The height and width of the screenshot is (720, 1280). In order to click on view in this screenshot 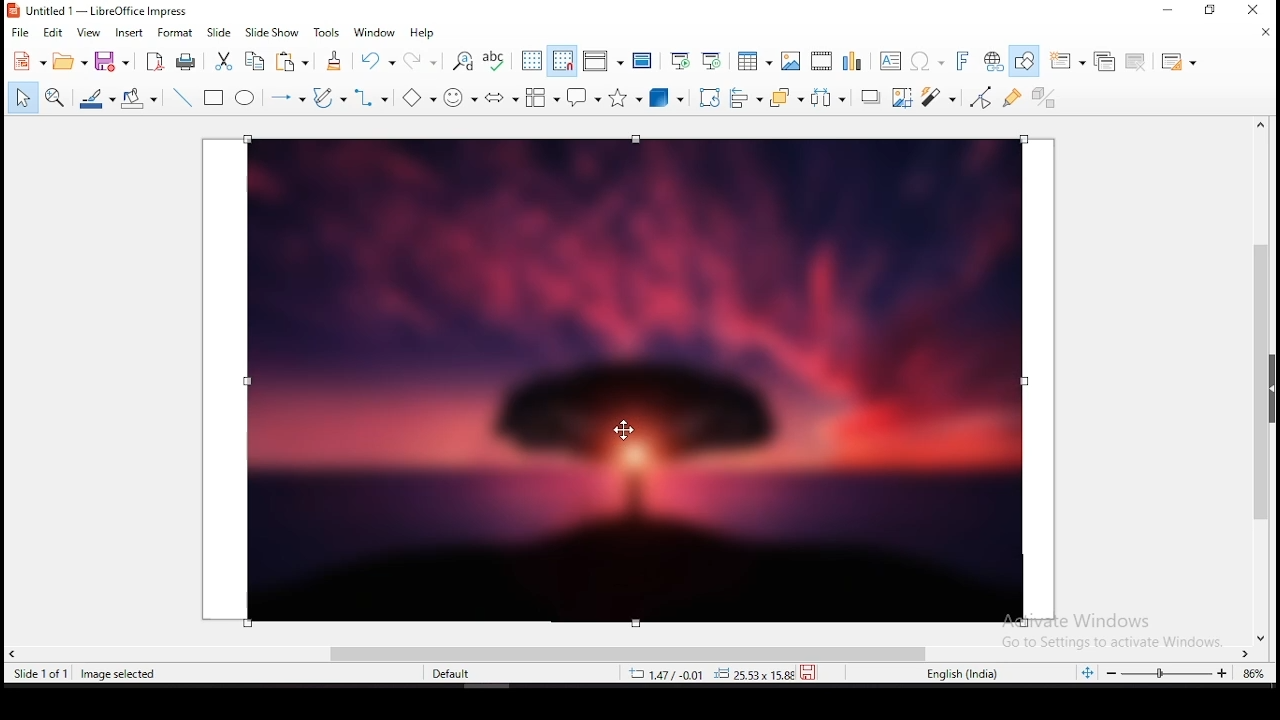, I will do `click(89, 33)`.